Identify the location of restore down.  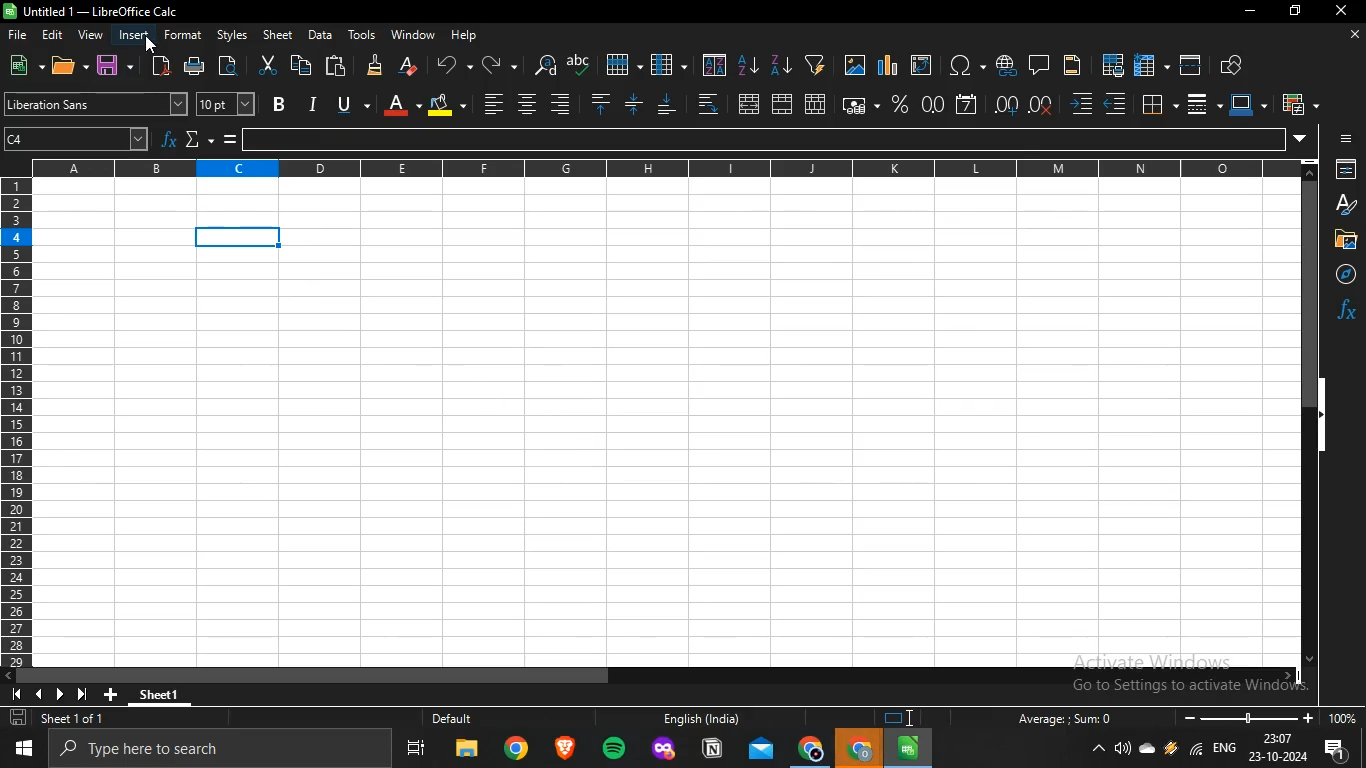
(1295, 12).